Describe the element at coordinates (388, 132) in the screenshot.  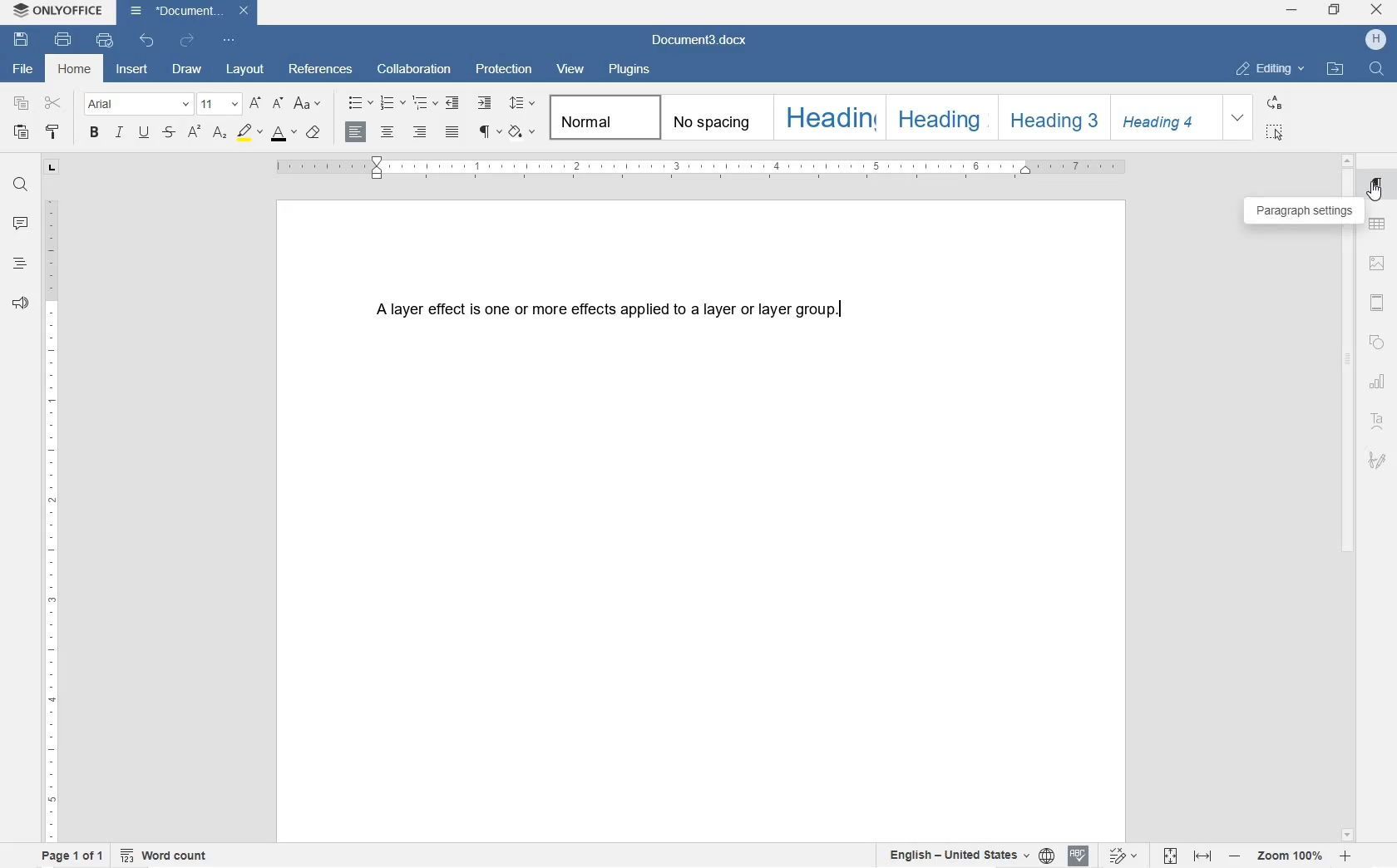
I see `ALIGN CENTER` at that location.